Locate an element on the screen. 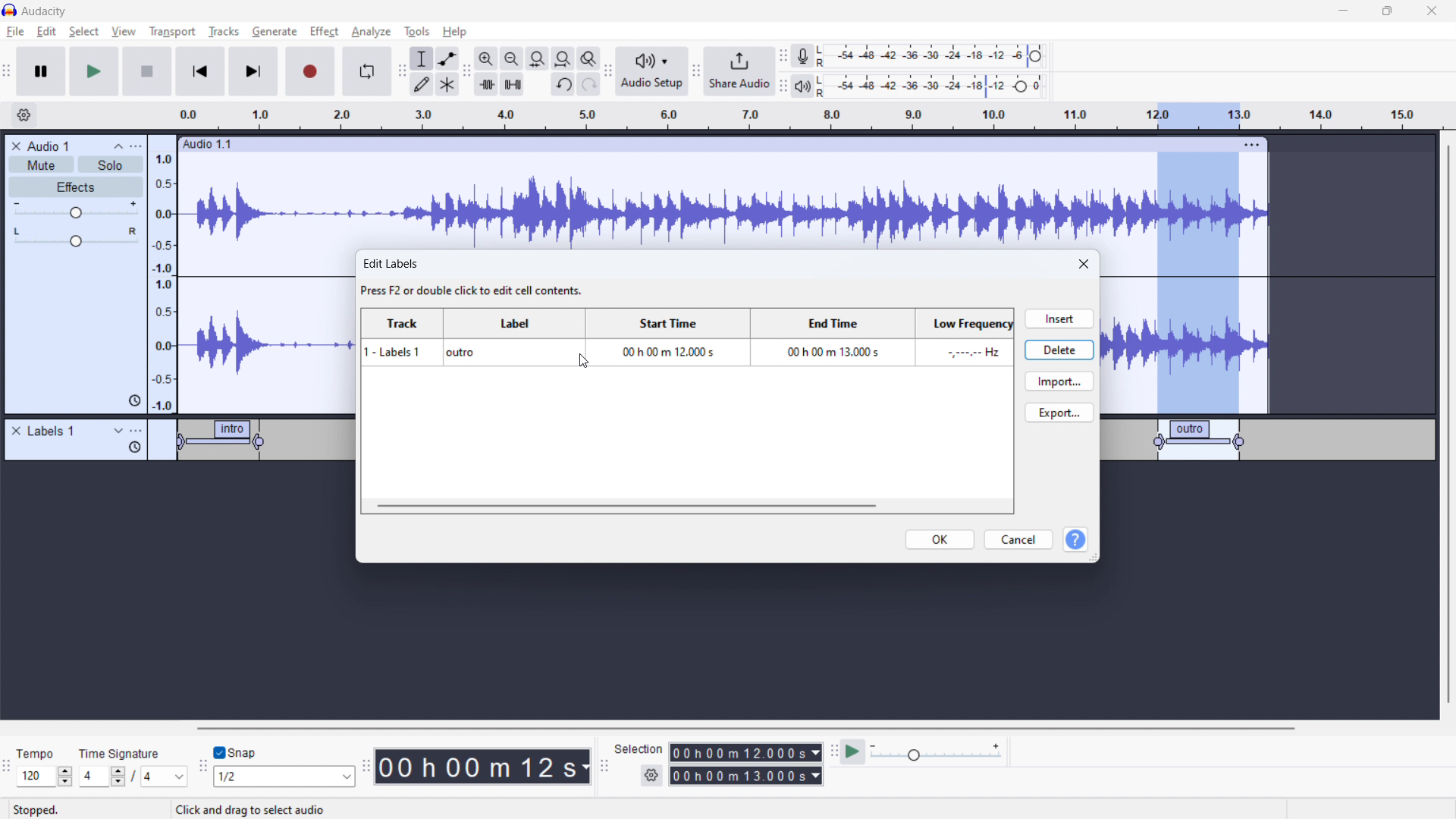  pause is located at coordinates (41, 72).